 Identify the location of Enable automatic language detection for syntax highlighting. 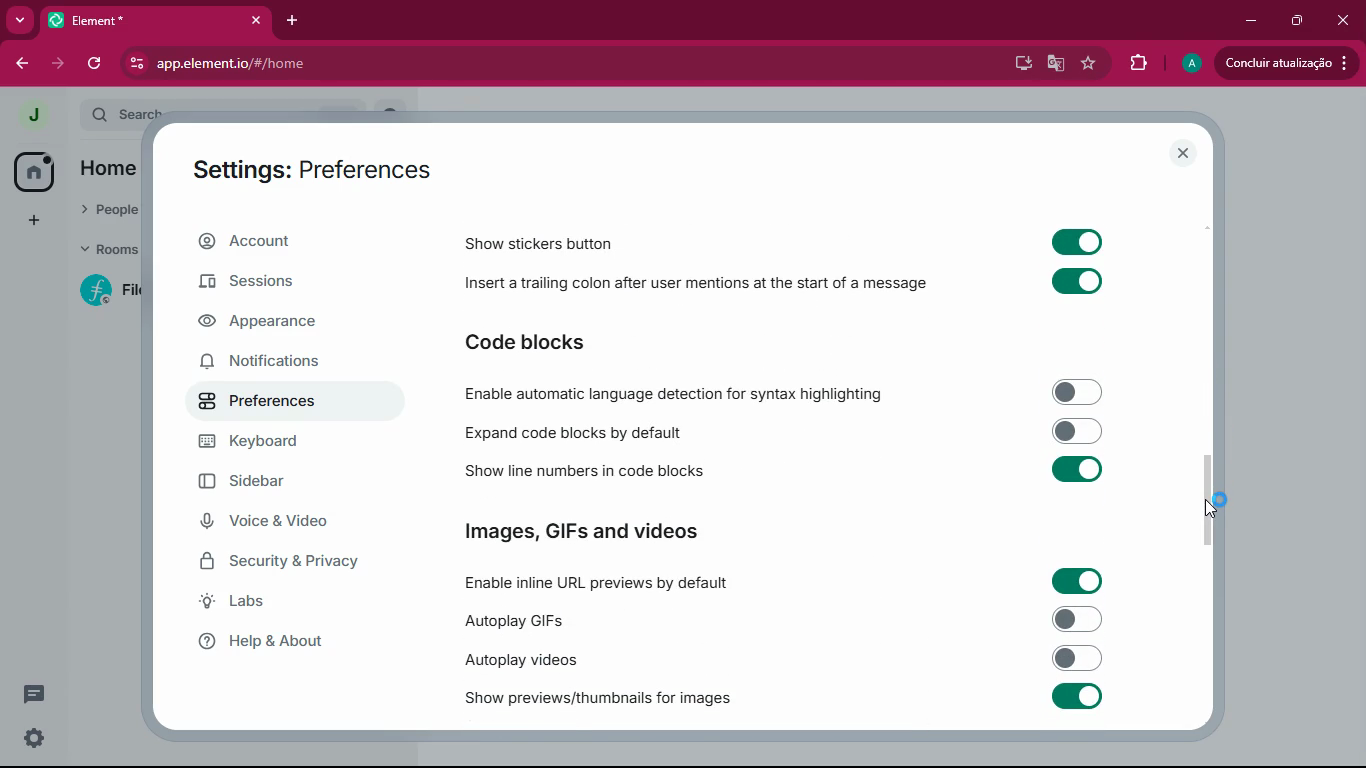
(672, 392).